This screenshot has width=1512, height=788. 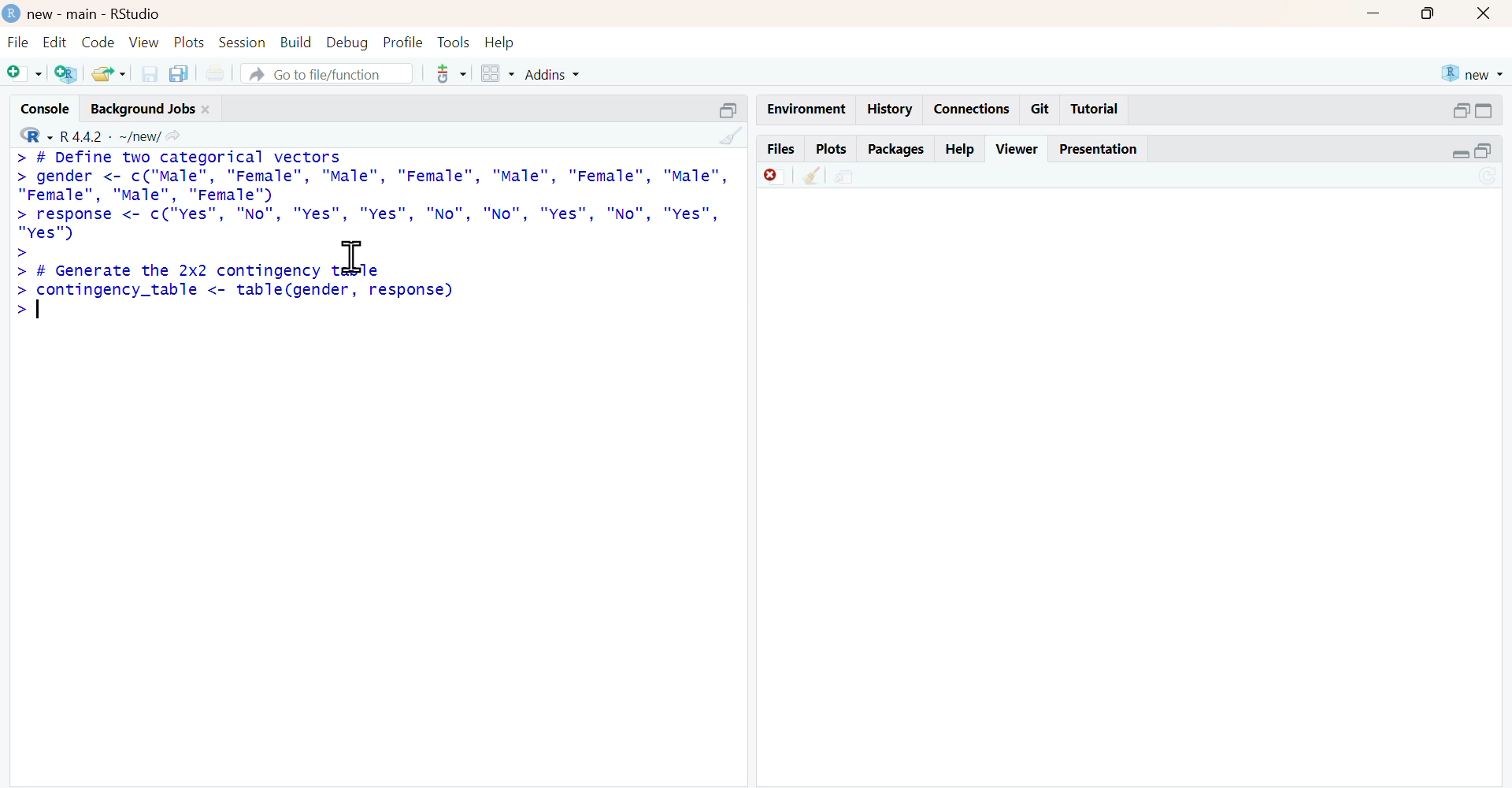 What do you see at coordinates (781, 147) in the screenshot?
I see `files` at bounding box center [781, 147].